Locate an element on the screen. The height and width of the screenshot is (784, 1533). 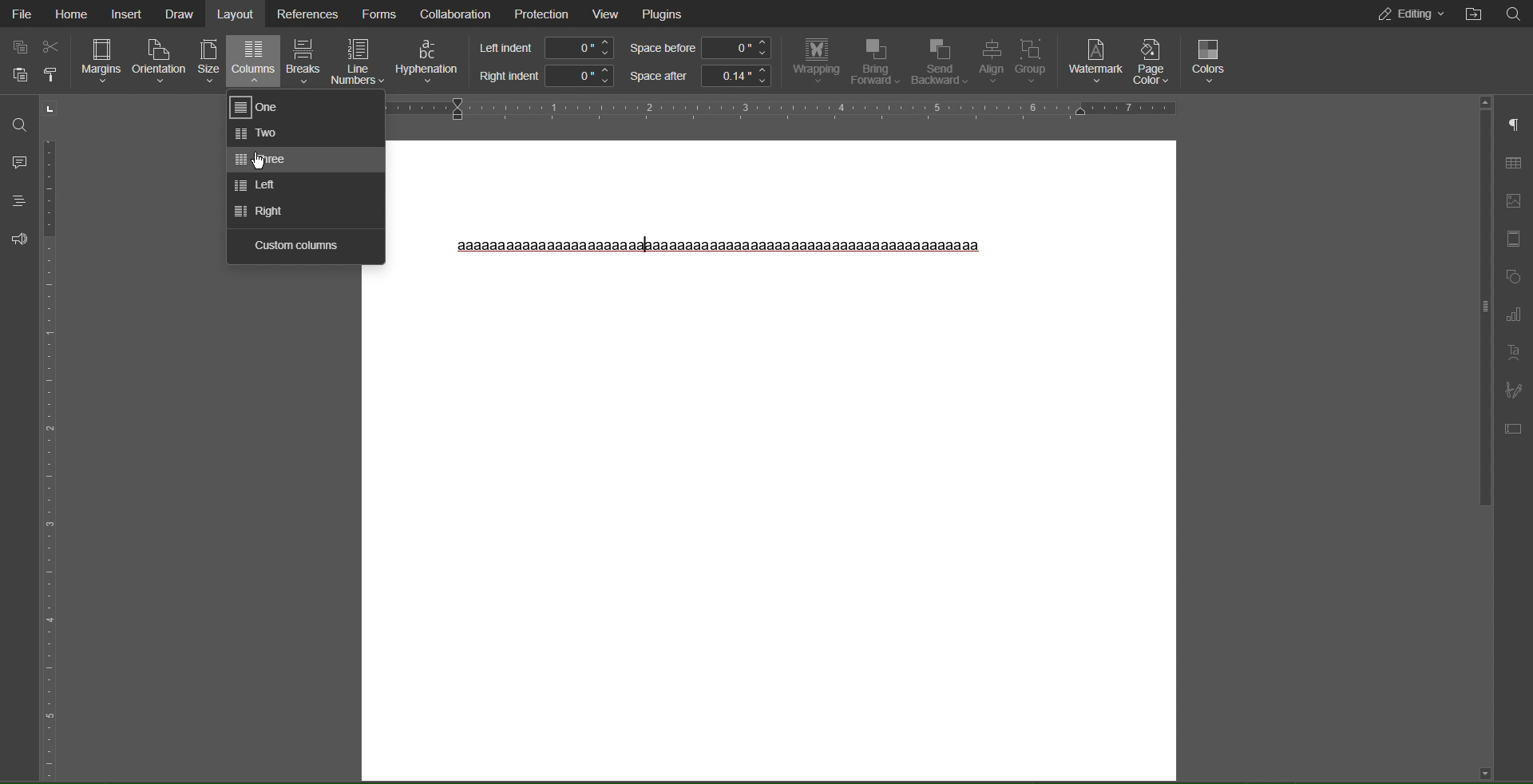
Left is located at coordinates (259, 186).